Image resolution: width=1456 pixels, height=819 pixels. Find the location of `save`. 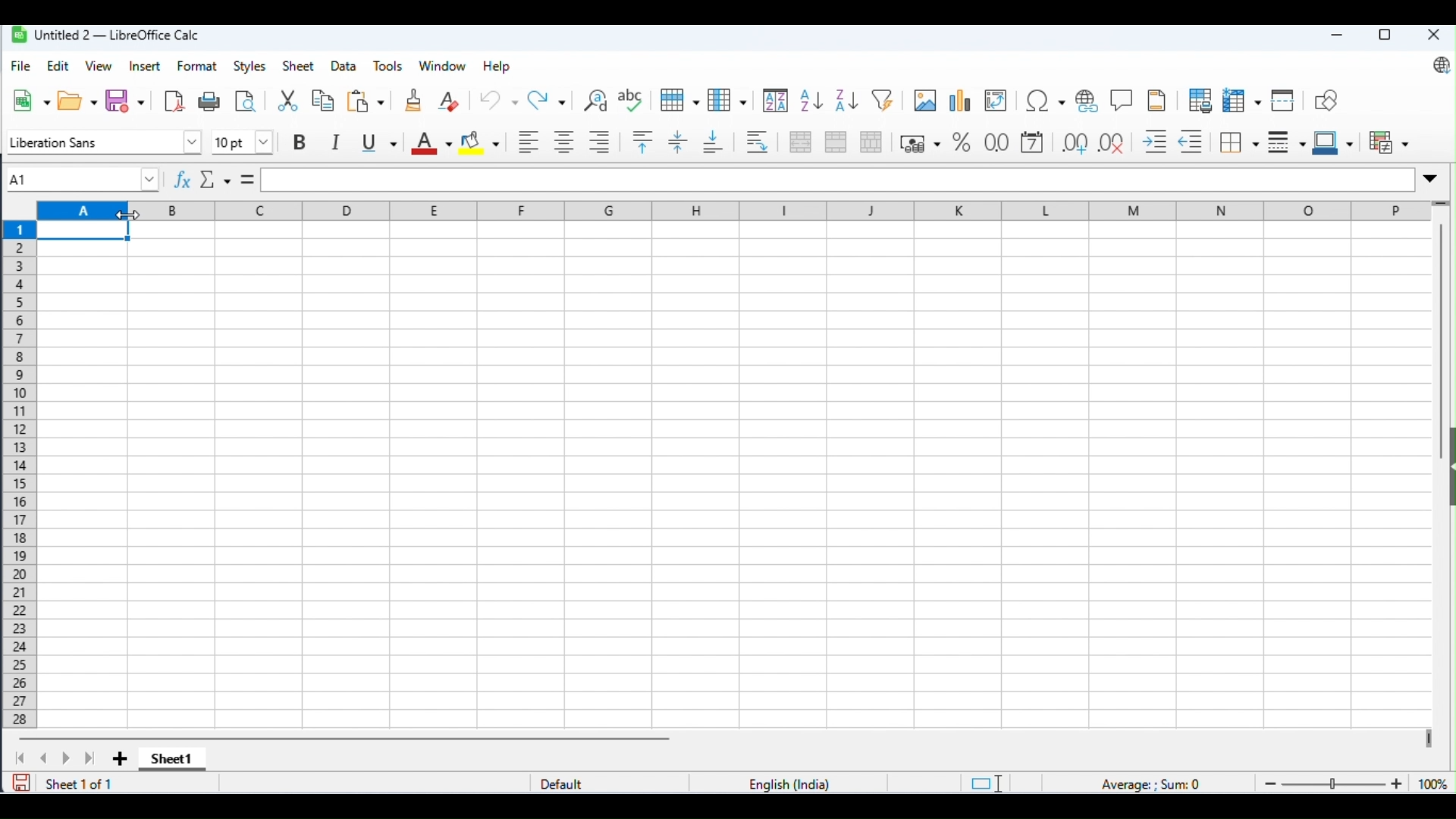

save is located at coordinates (126, 99).